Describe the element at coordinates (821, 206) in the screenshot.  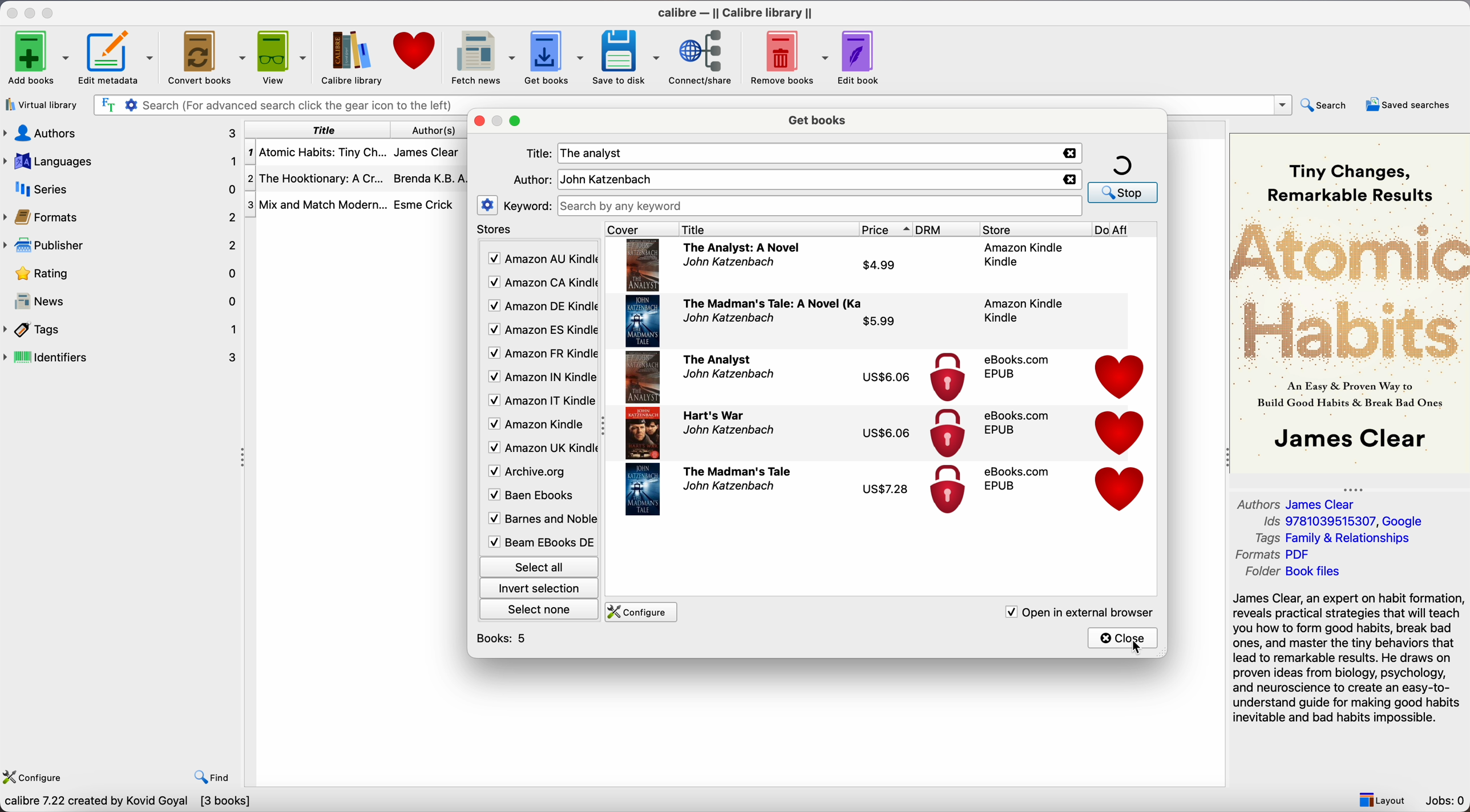
I see `search bar` at that location.